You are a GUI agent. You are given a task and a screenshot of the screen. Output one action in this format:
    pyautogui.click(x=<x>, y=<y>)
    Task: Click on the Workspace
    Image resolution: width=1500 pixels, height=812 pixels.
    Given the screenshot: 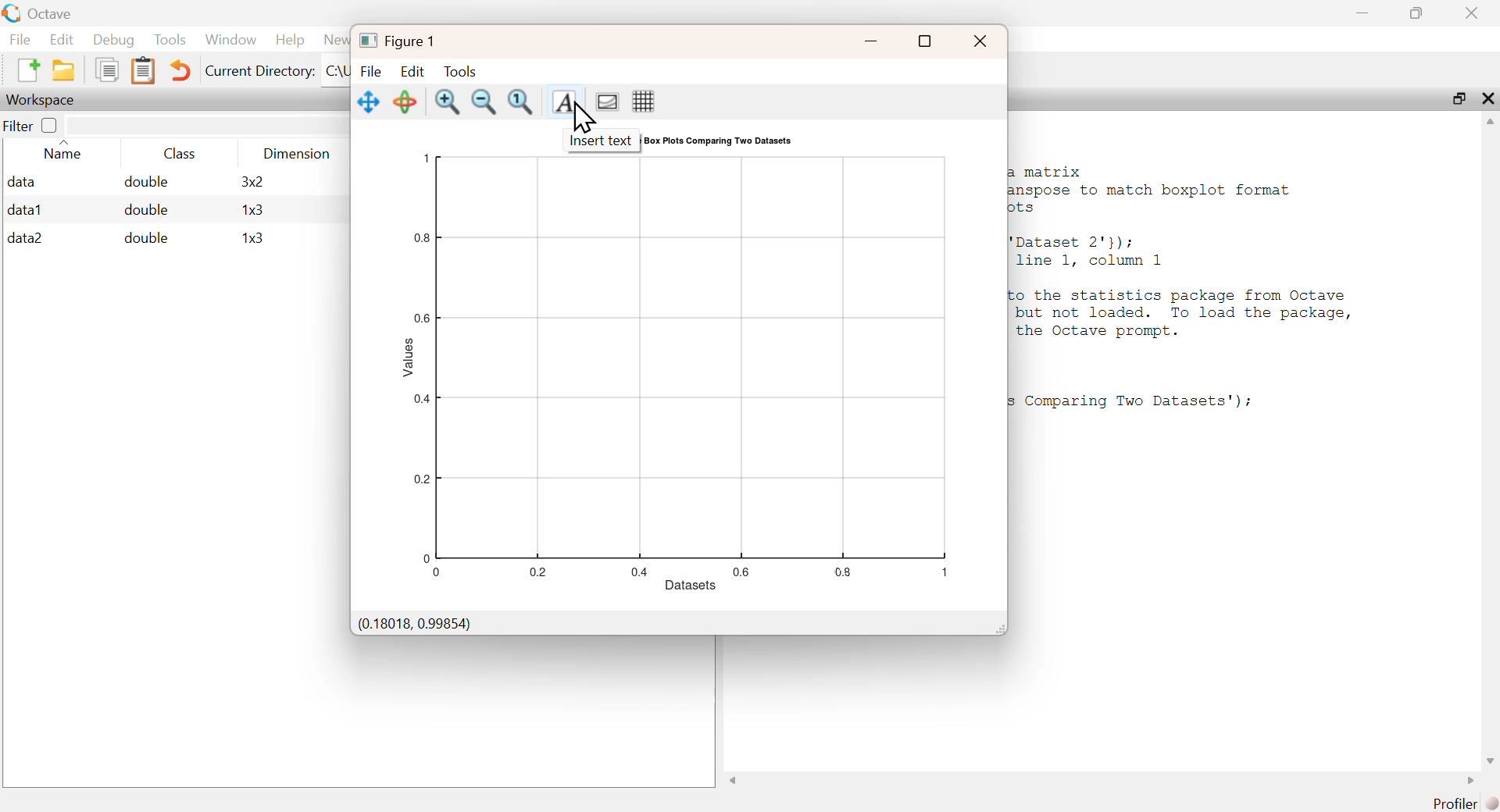 What is the action you would take?
    pyautogui.click(x=43, y=100)
    